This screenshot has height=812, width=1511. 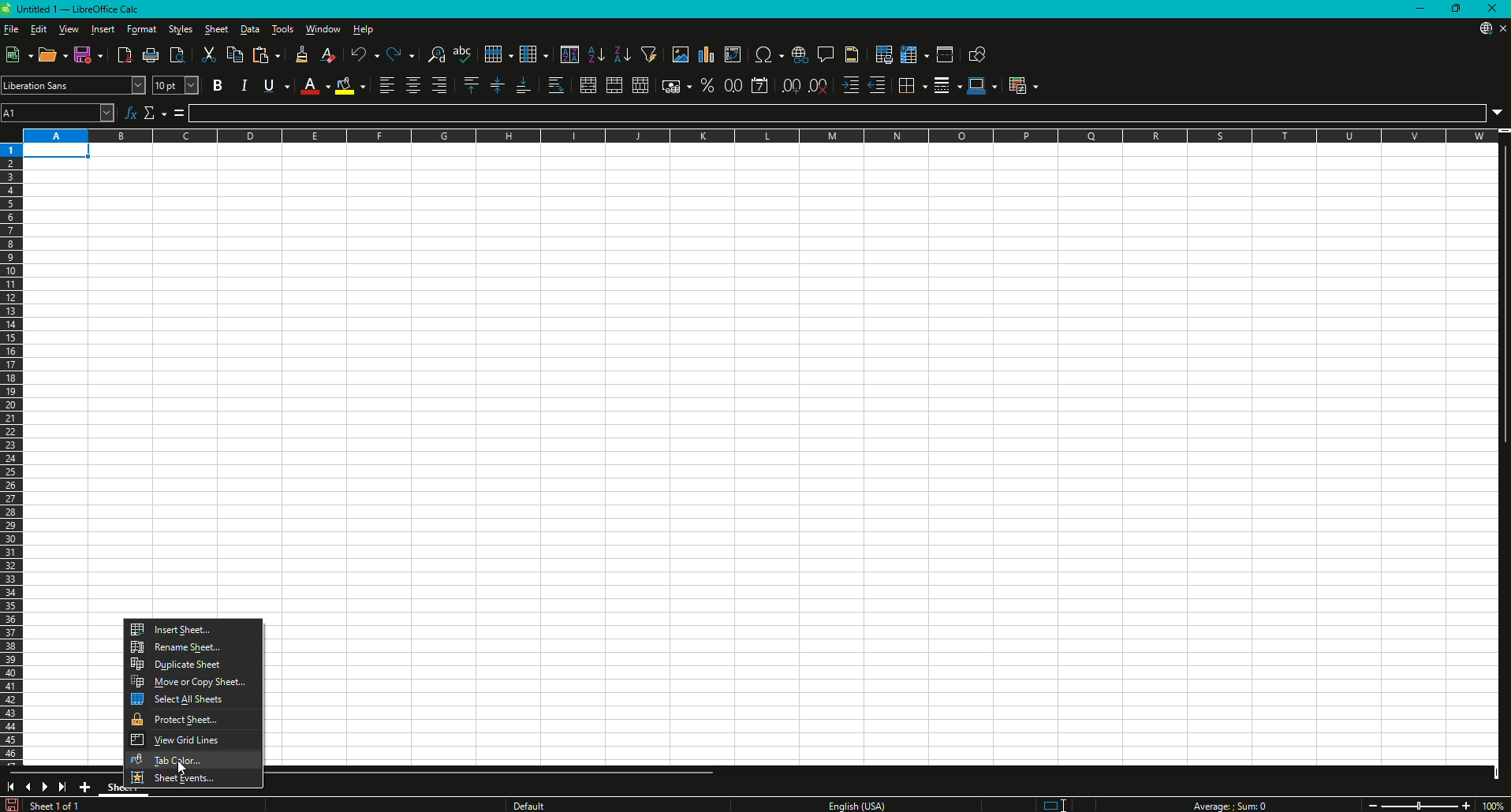 What do you see at coordinates (853, 54) in the screenshot?
I see `Headers and Footers` at bounding box center [853, 54].